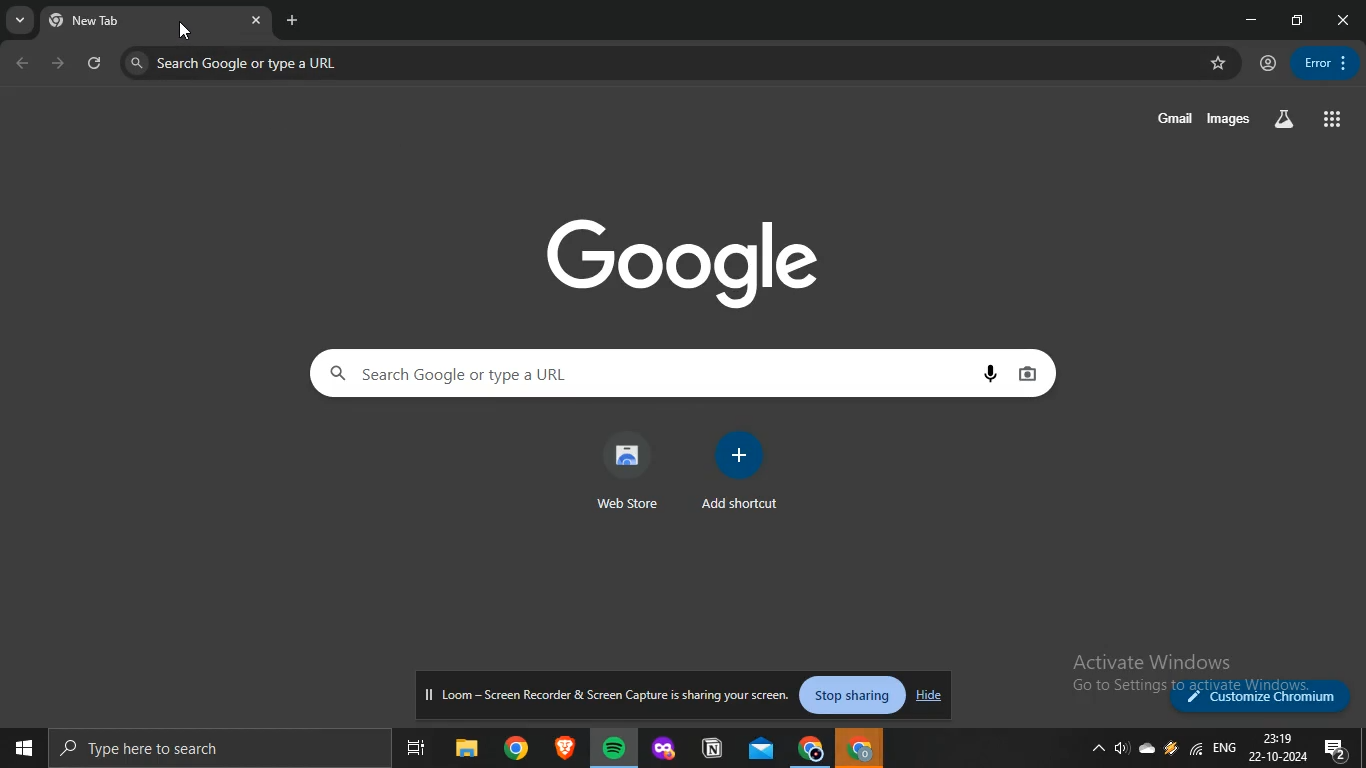  Describe the element at coordinates (1335, 120) in the screenshot. I see `google apps` at that location.